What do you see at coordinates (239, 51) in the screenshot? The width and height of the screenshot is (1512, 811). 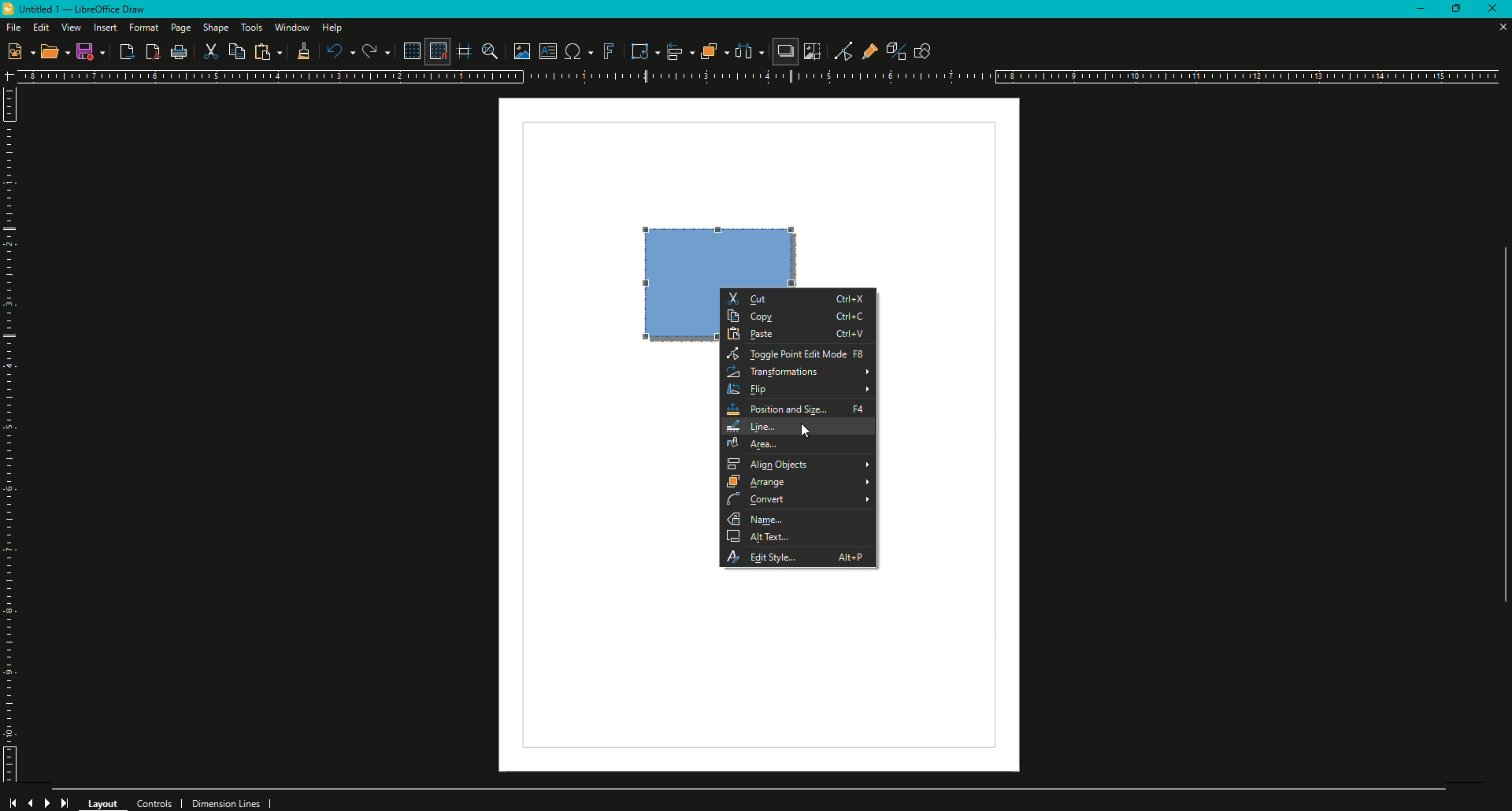 I see `Copy` at bounding box center [239, 51].